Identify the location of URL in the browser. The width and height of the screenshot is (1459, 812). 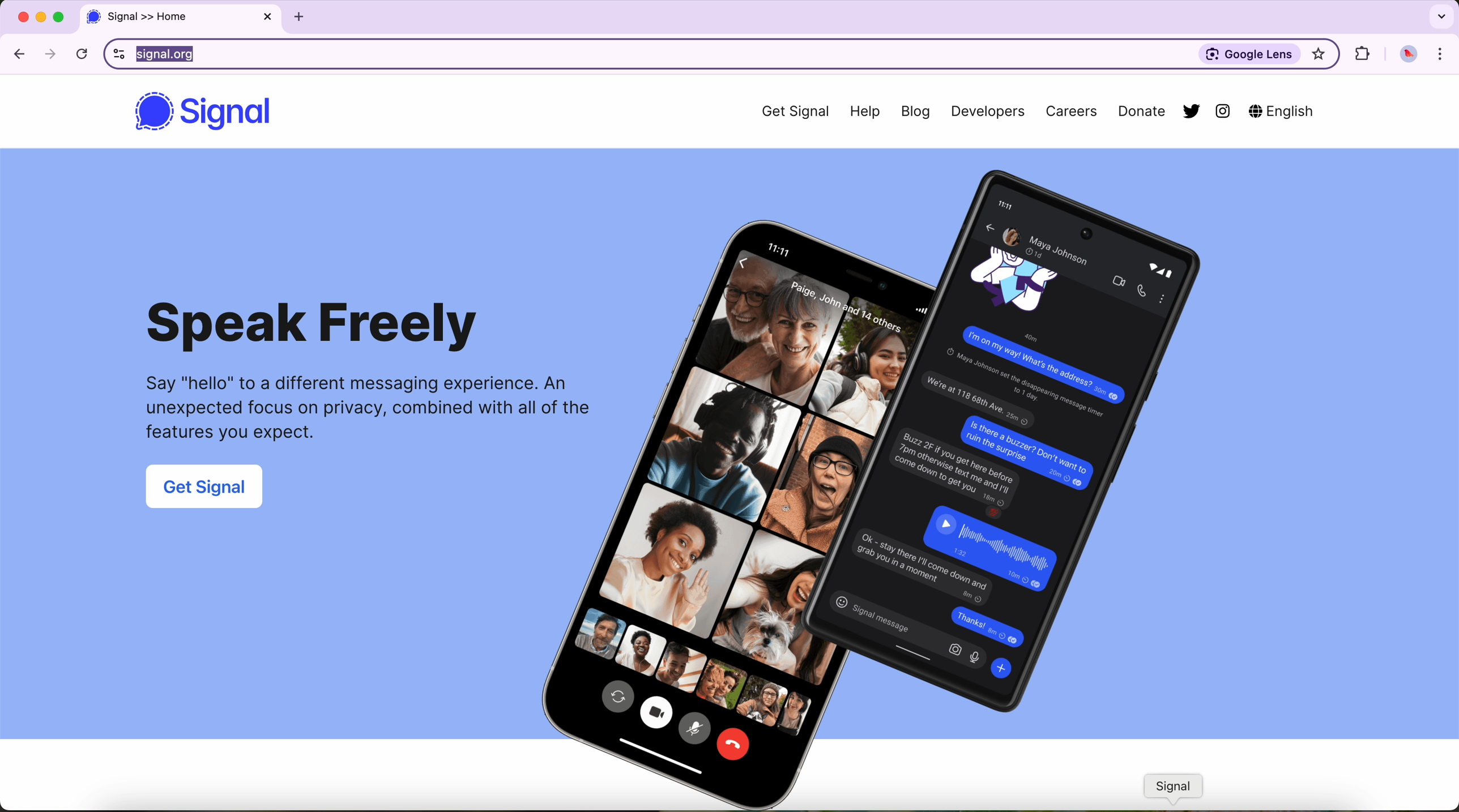
(630, 54).